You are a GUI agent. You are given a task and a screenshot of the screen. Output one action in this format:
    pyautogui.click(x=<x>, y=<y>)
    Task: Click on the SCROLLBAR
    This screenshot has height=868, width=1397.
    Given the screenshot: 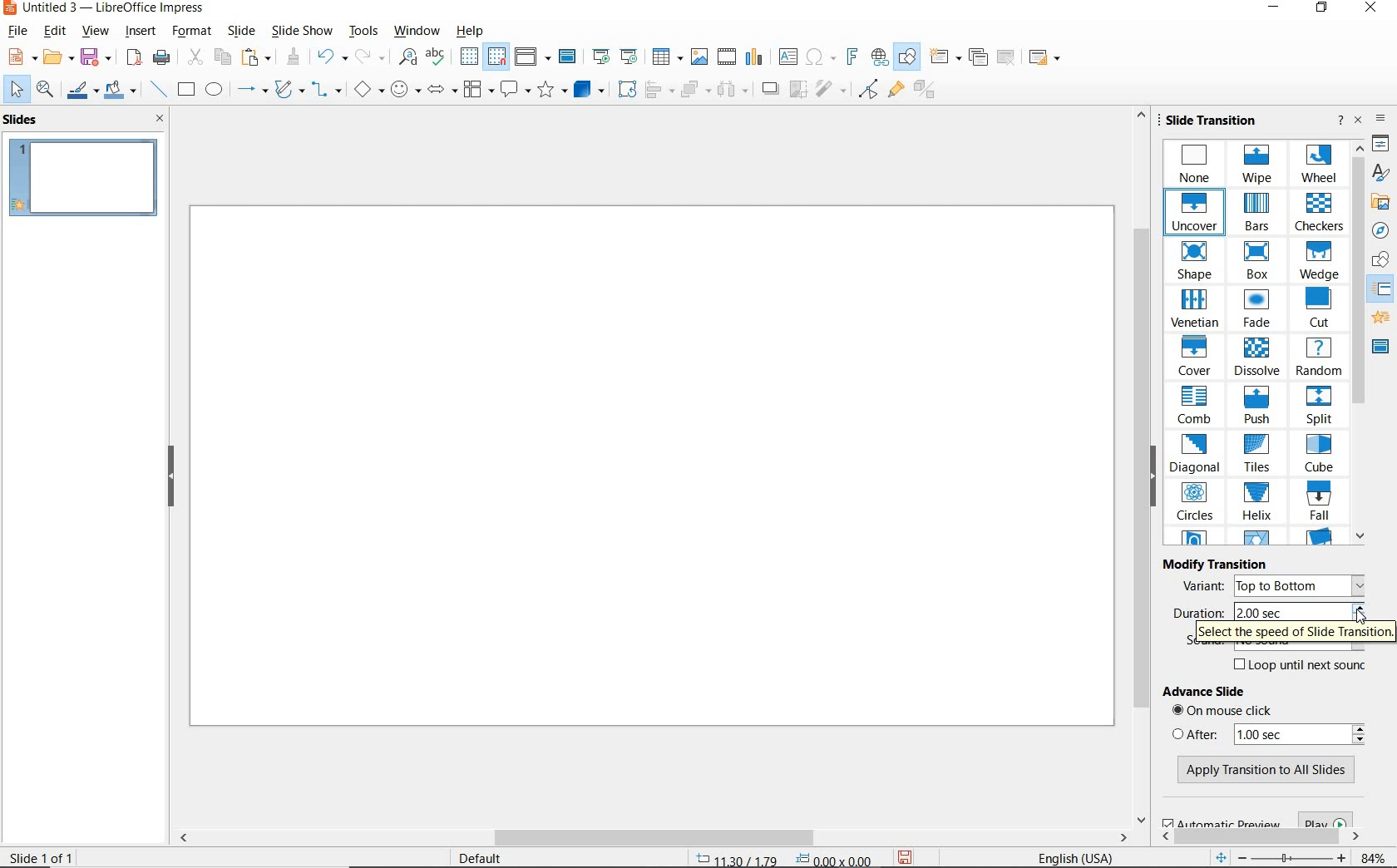 What is the action you would take?
    pyautogui.click(x=1138, y=467)
    